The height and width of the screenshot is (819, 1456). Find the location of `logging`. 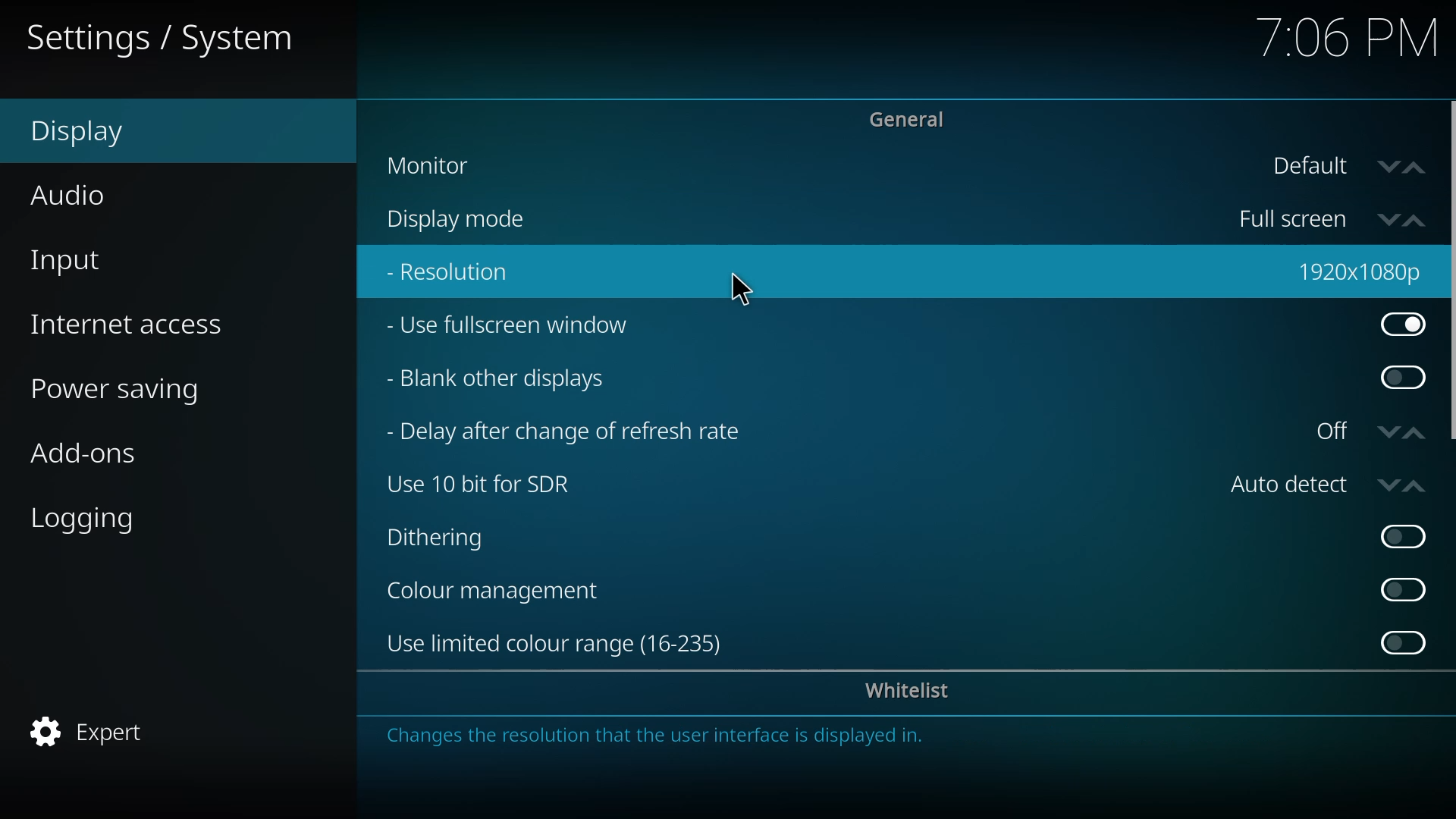

logging is located at coordinates (93, 522).